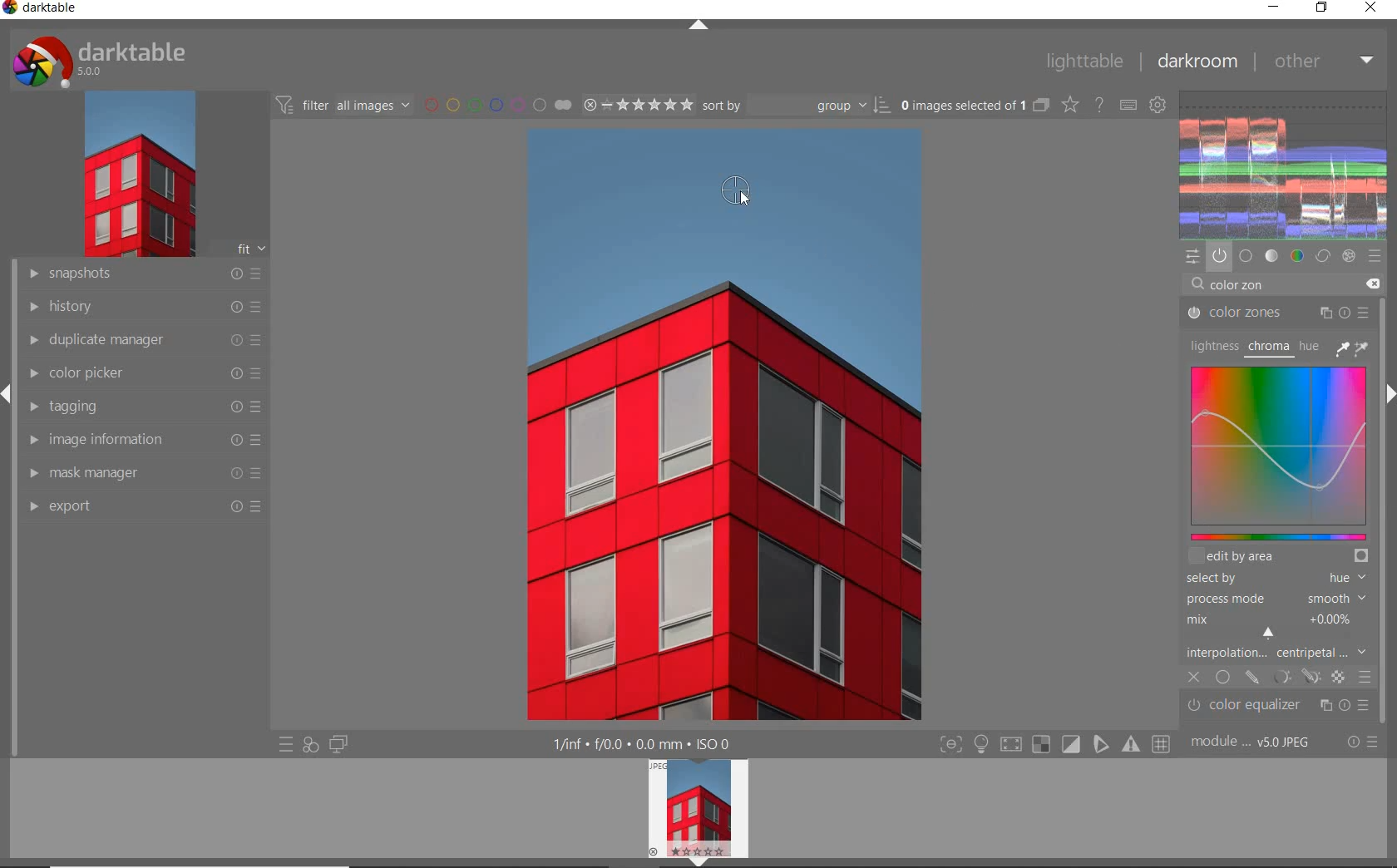 This screenshot has height=868, width=1397. I want to click on HUE, so click(1307, 345).